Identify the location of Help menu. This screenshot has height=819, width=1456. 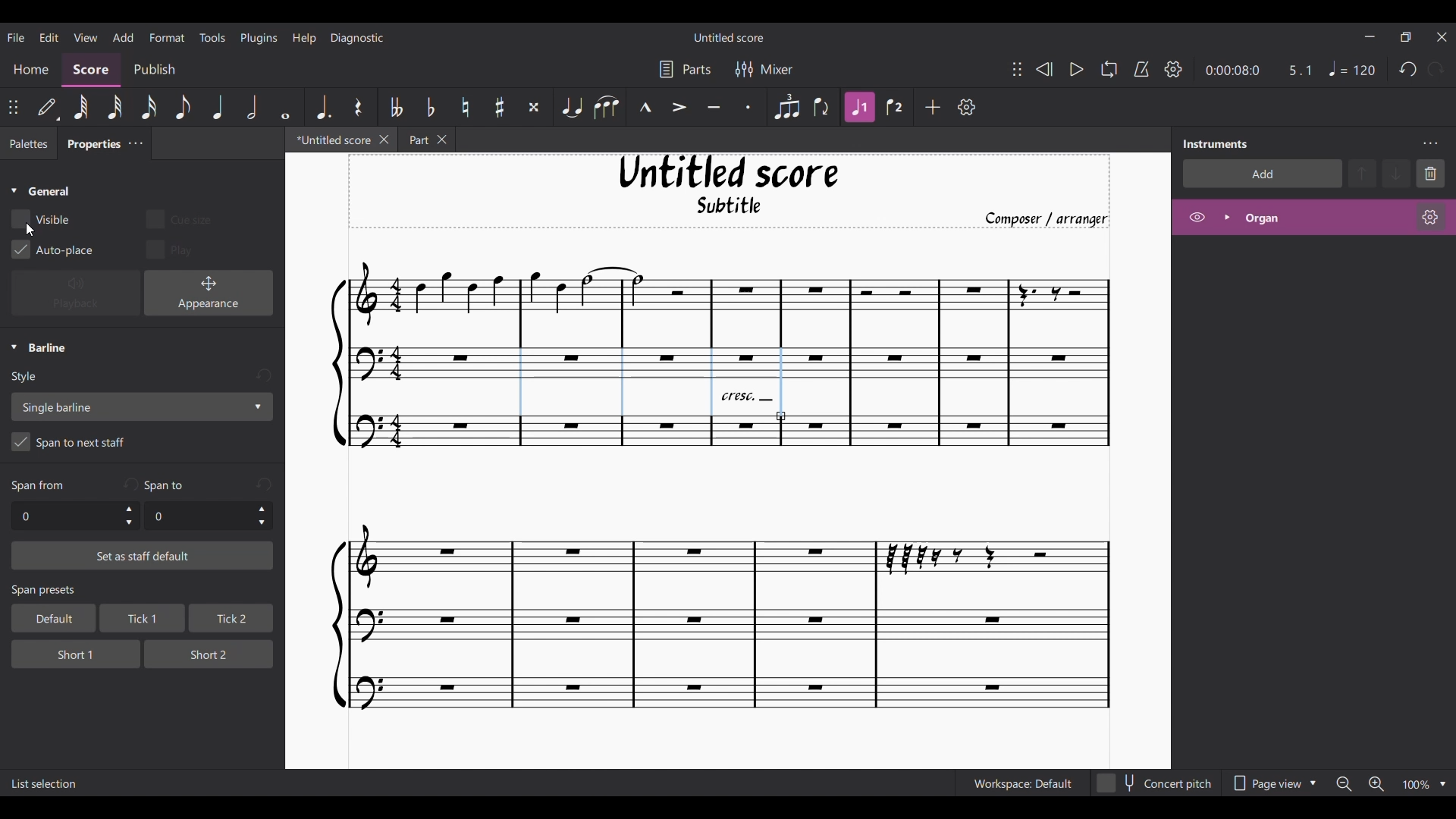
(304, 37).